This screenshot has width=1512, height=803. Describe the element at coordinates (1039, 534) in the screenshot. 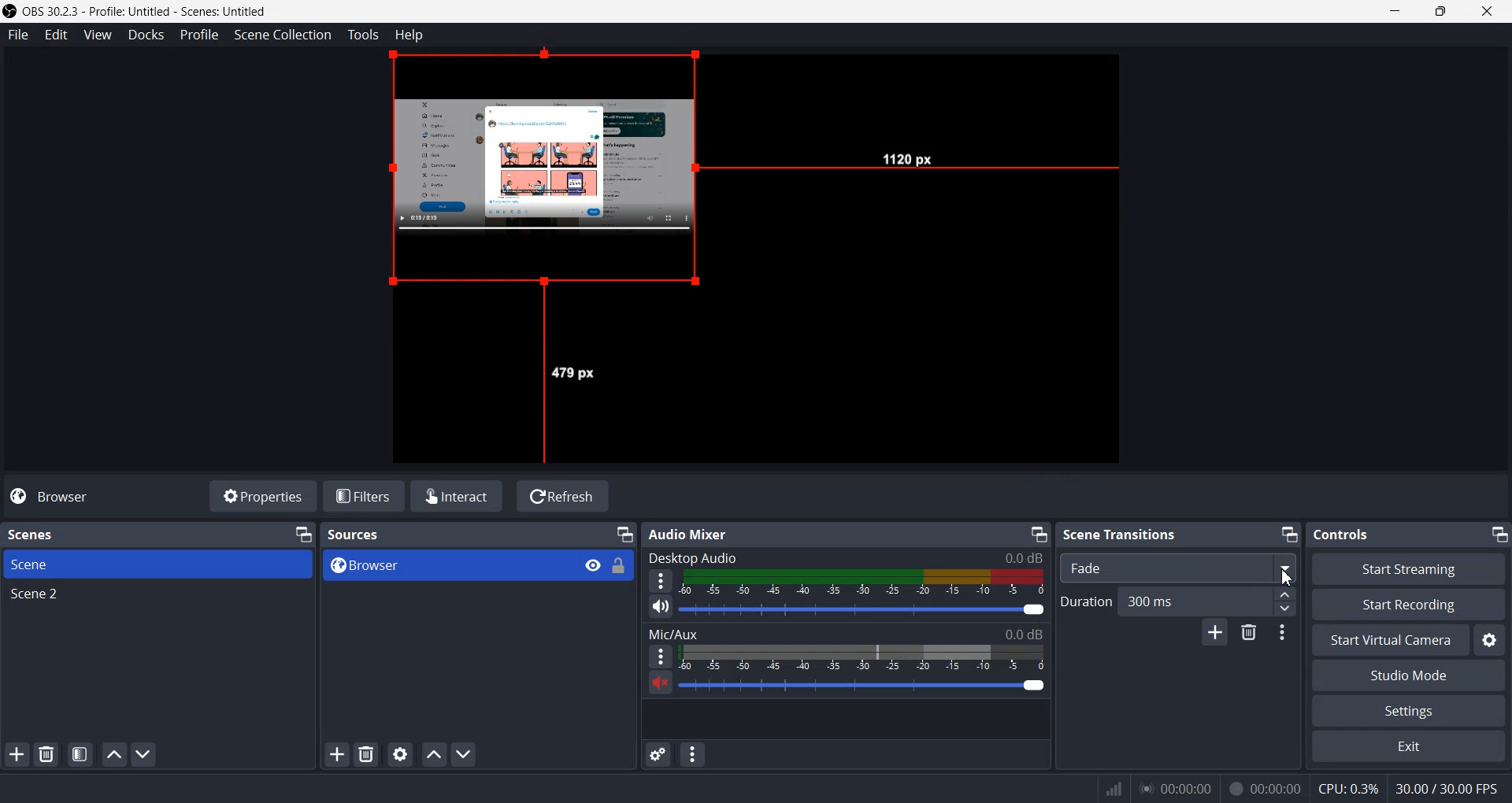

I see `Minimize` at that location.